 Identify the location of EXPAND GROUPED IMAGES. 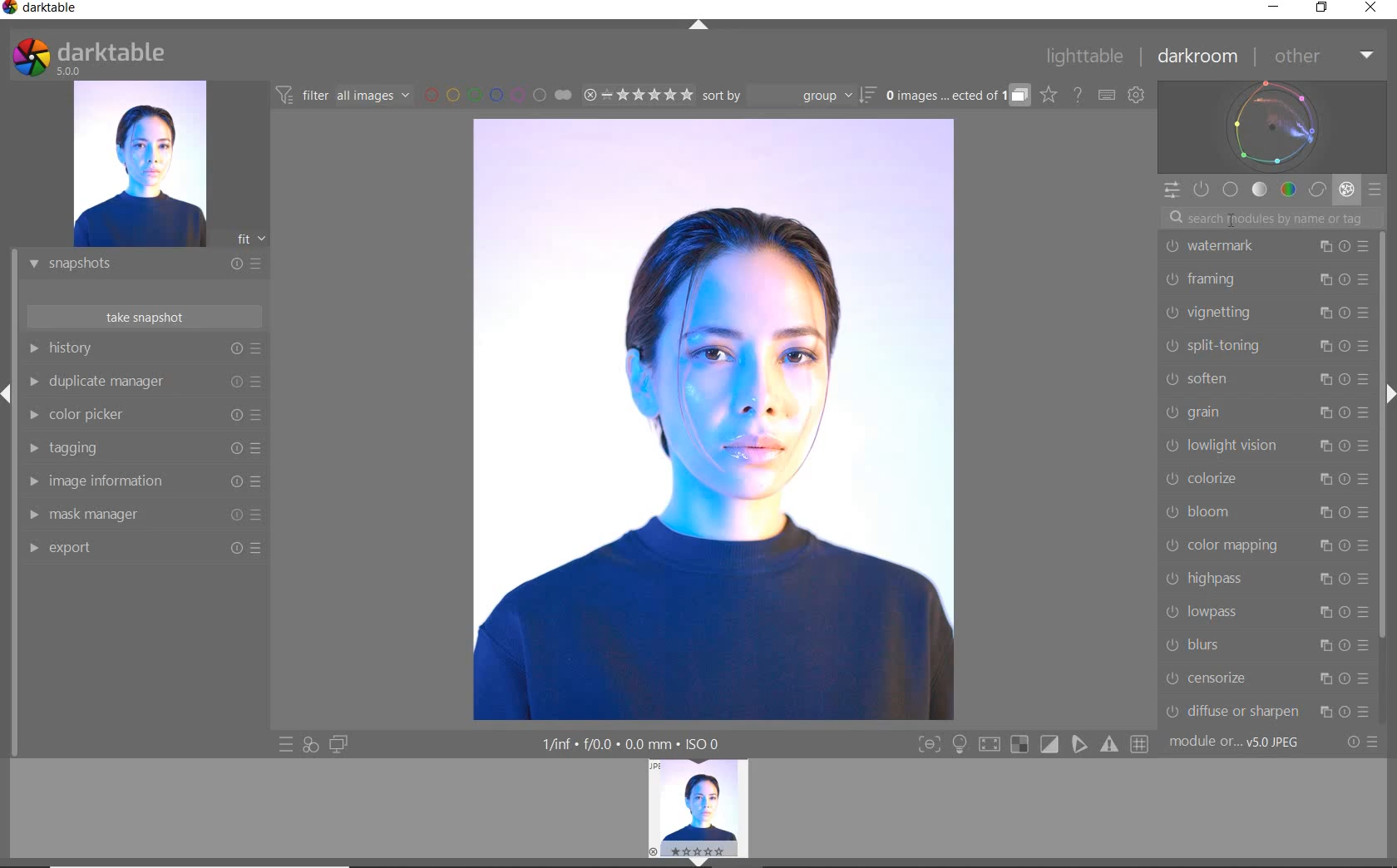
(957, 96).